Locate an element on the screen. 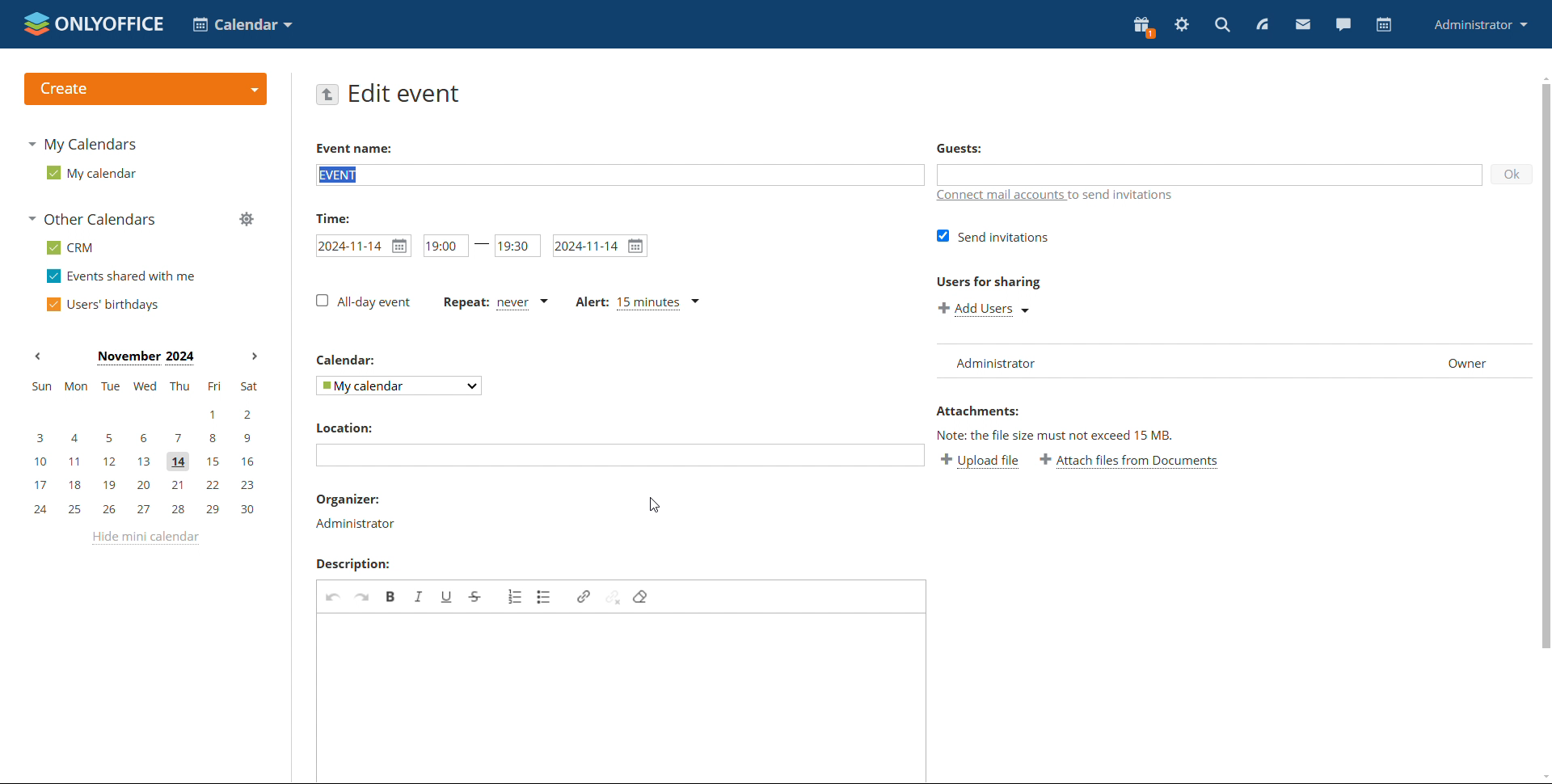  mini calendar is located at coordinates (143, 448).